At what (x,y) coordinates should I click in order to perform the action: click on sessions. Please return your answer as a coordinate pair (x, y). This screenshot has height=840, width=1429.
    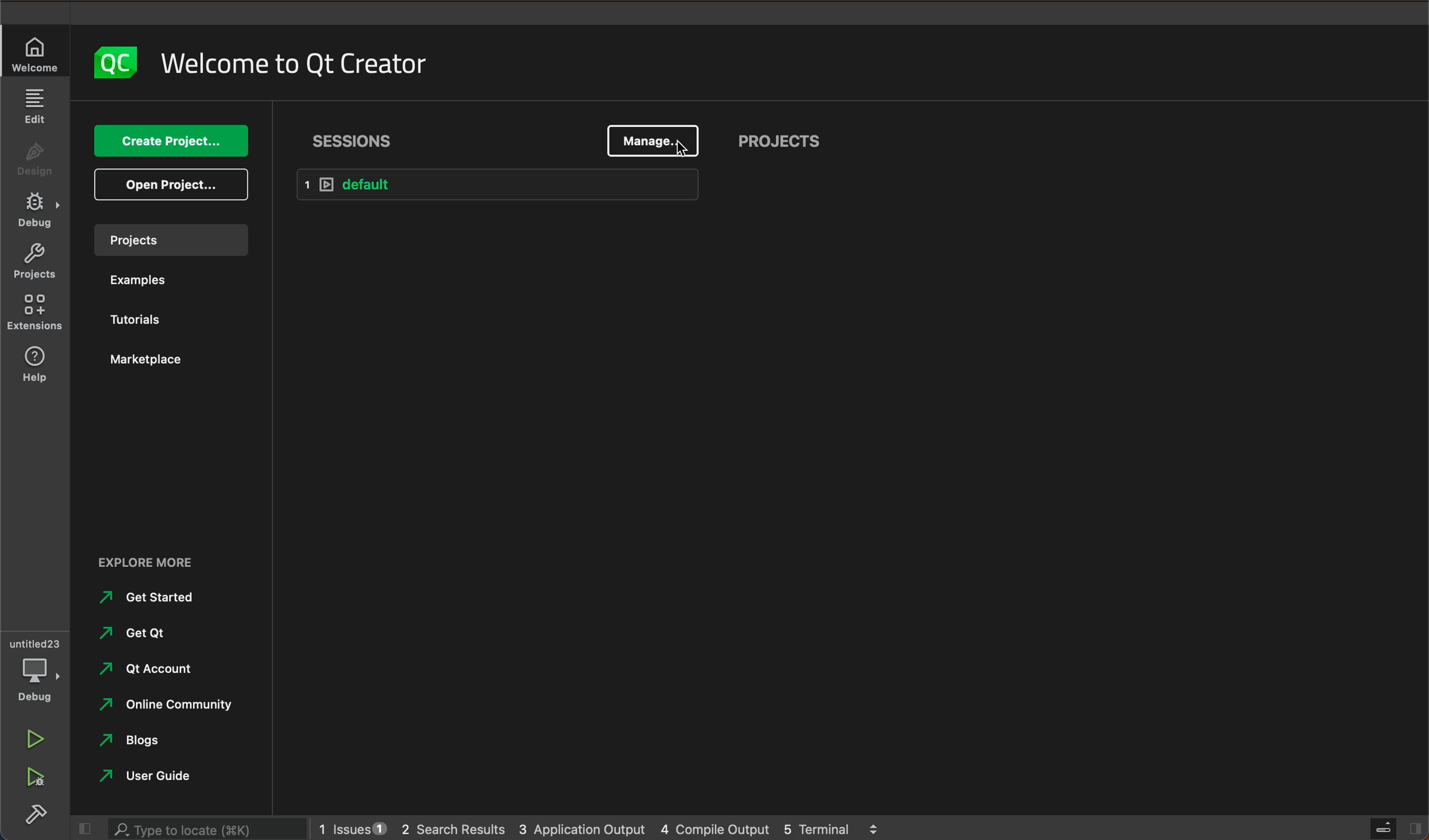
    Looking at the image, I should click on (354, 141).